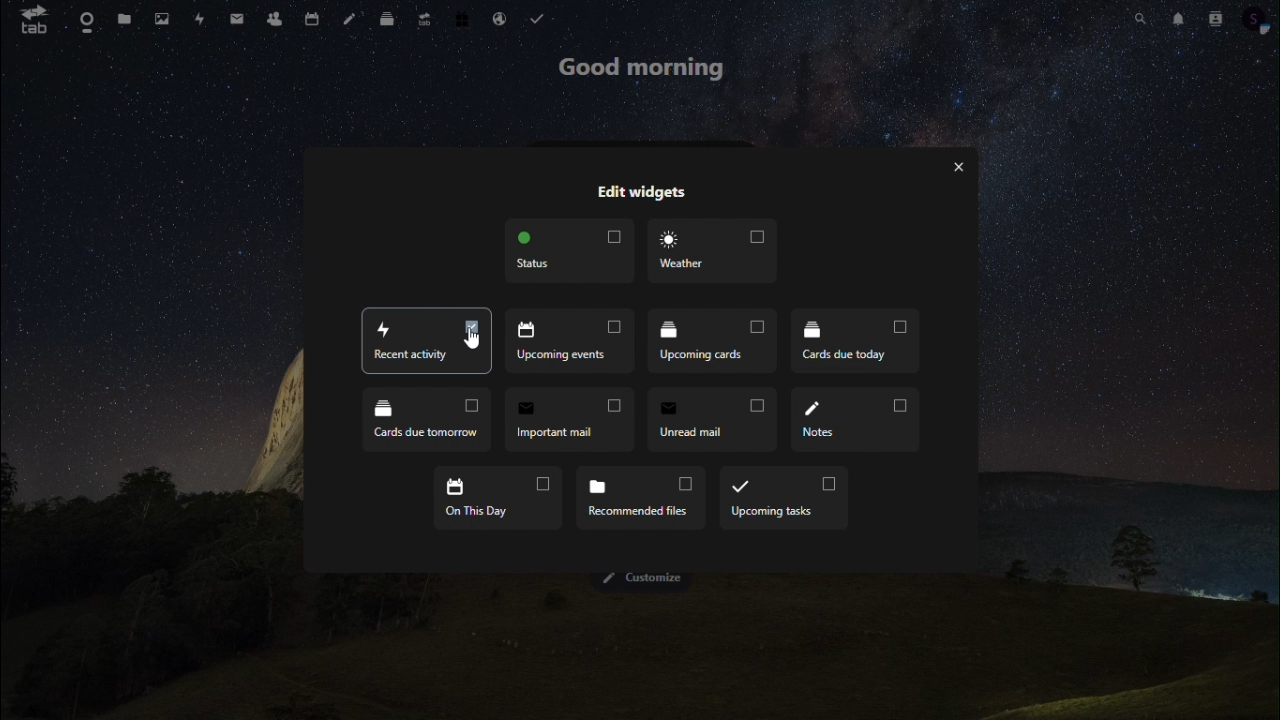  I want to click on email hosting, so click(500, 22).